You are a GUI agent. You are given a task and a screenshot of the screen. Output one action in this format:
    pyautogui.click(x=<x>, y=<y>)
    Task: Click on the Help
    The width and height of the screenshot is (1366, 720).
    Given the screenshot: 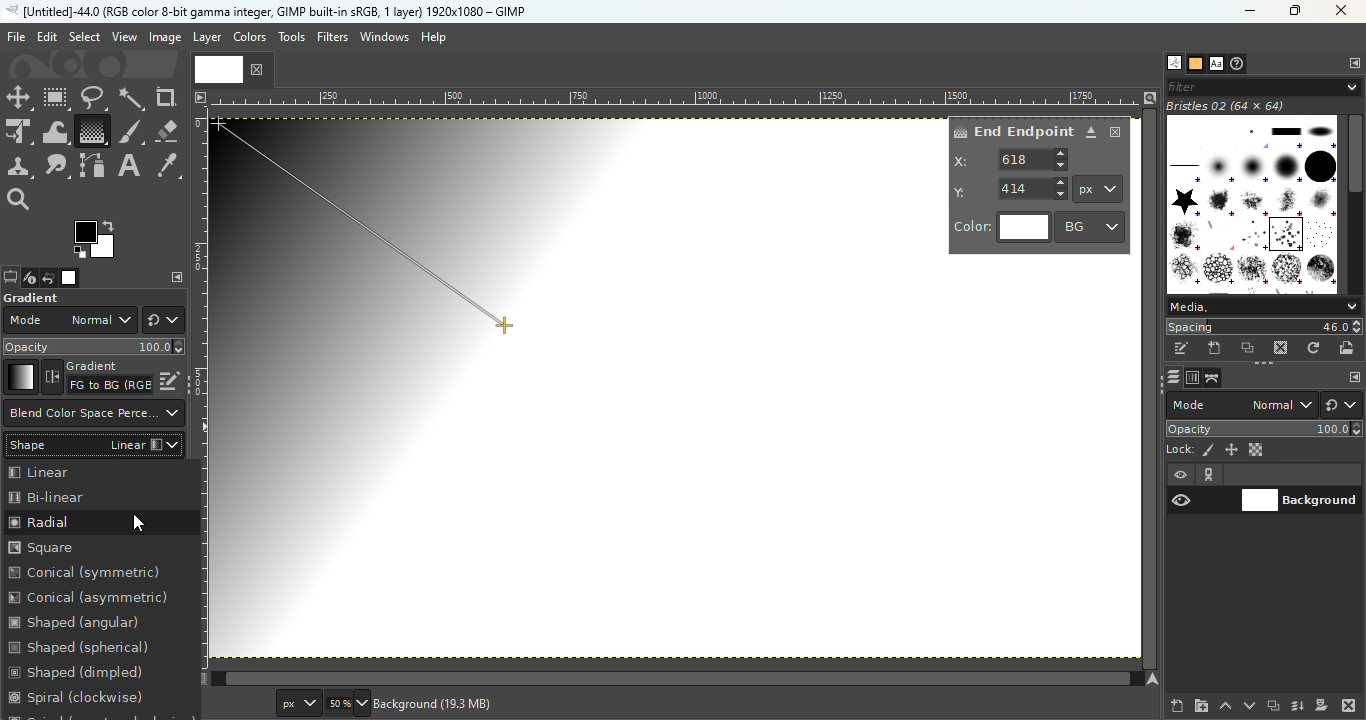 What is the action you would take?
    pyautogui.click(x=436, y=37)
    